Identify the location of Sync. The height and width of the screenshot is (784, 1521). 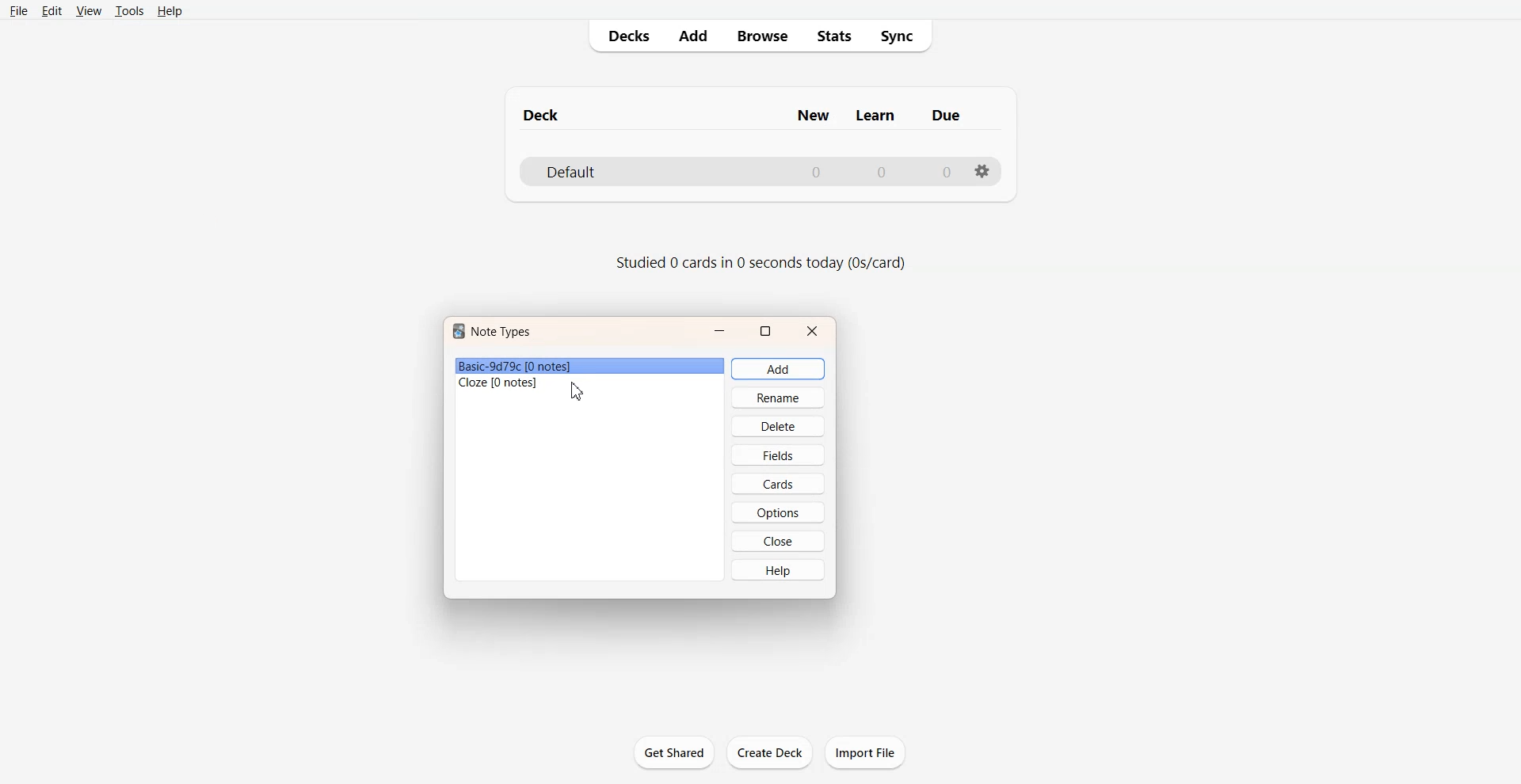
(900, 36).